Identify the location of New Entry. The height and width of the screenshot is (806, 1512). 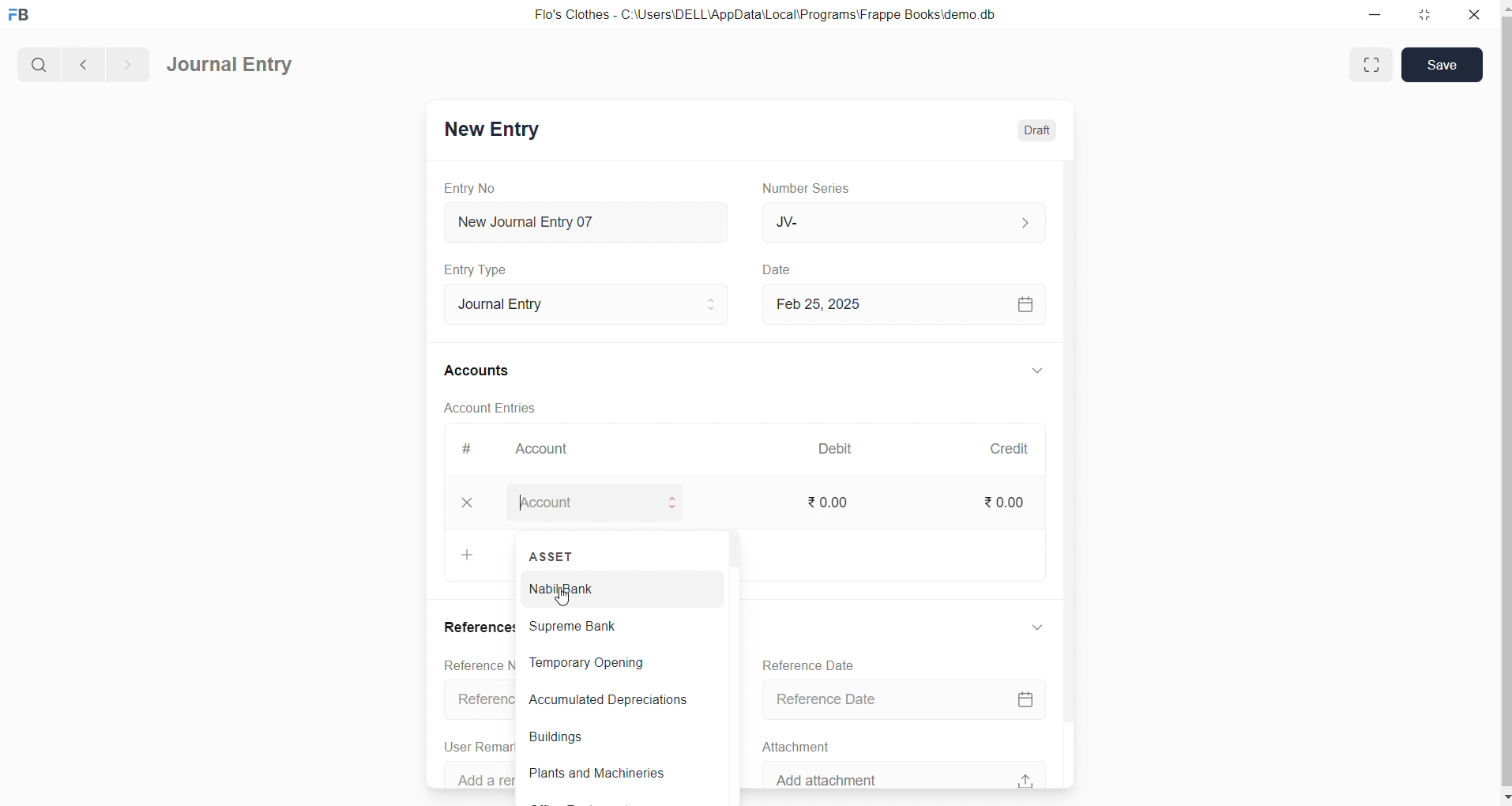
(499, 129).